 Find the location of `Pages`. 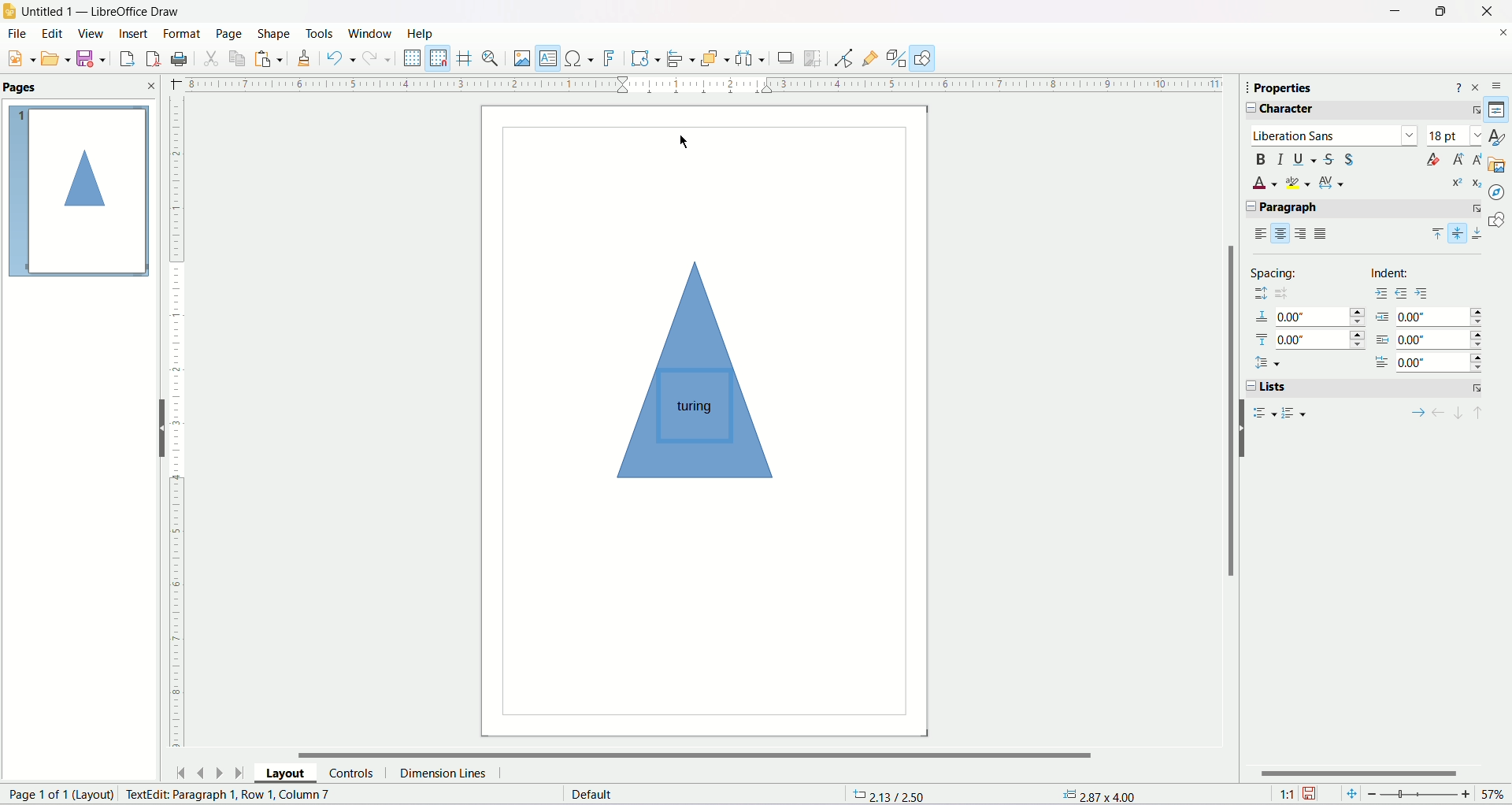

Pages is located at coordinates (22, 87).